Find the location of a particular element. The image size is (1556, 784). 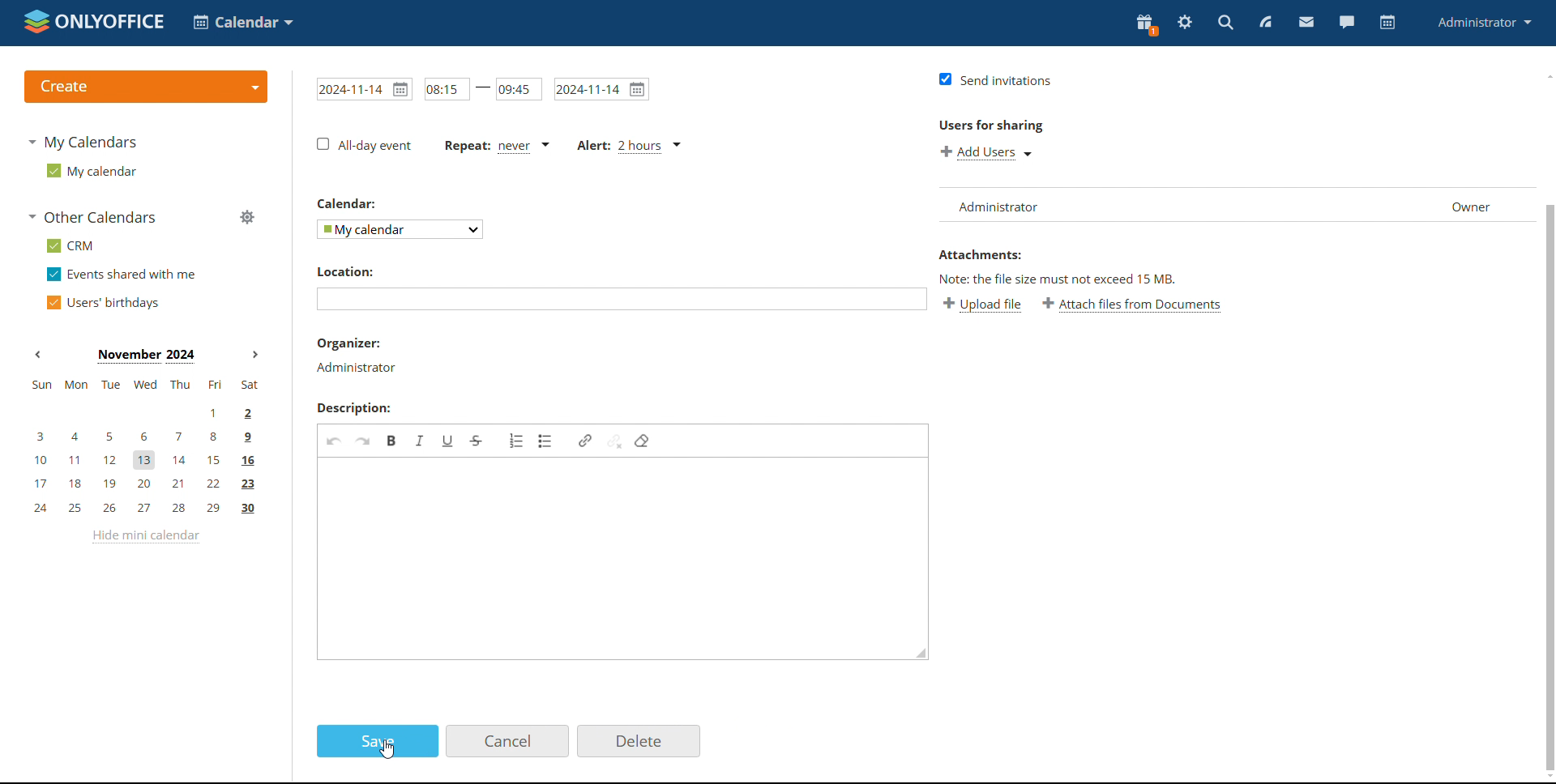

end date is located at coordinates (603, 90).